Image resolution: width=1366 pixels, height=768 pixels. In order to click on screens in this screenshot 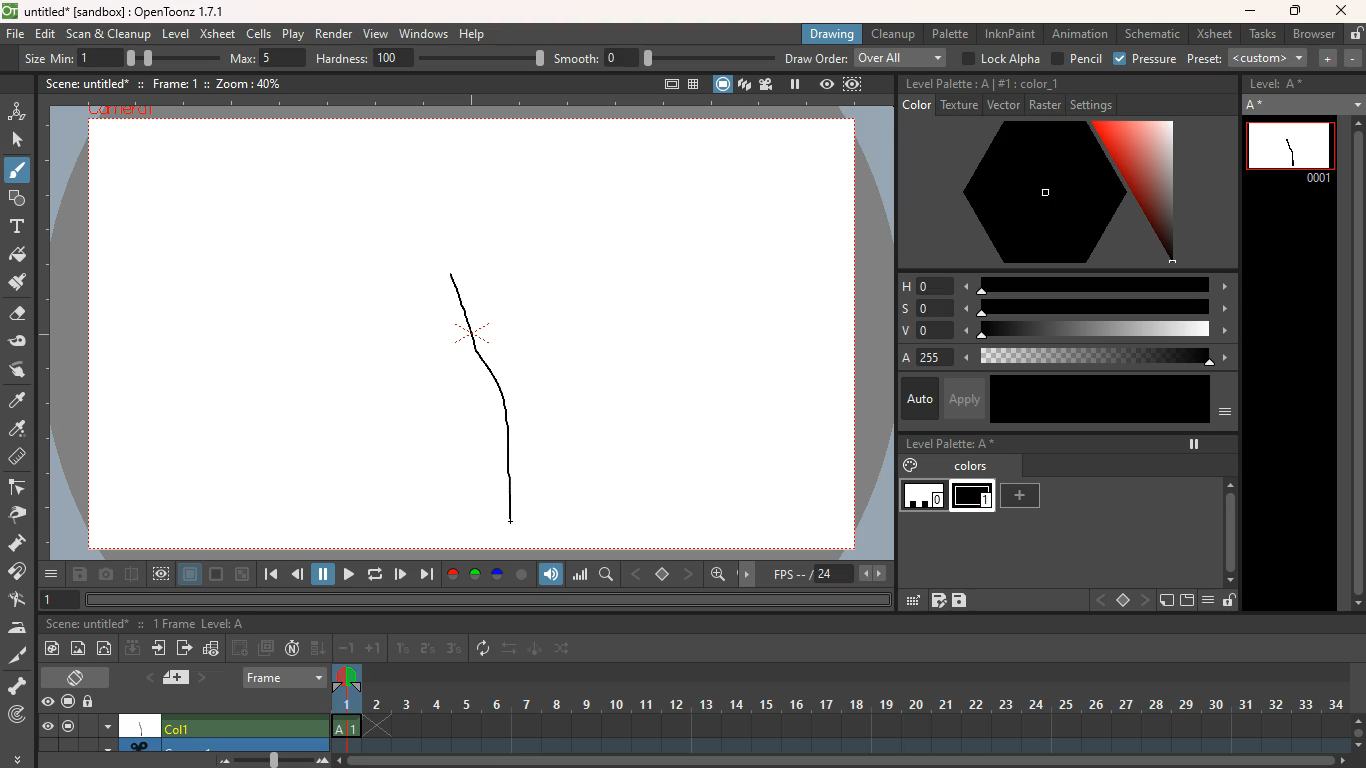, I will do `click(268, 648)`.